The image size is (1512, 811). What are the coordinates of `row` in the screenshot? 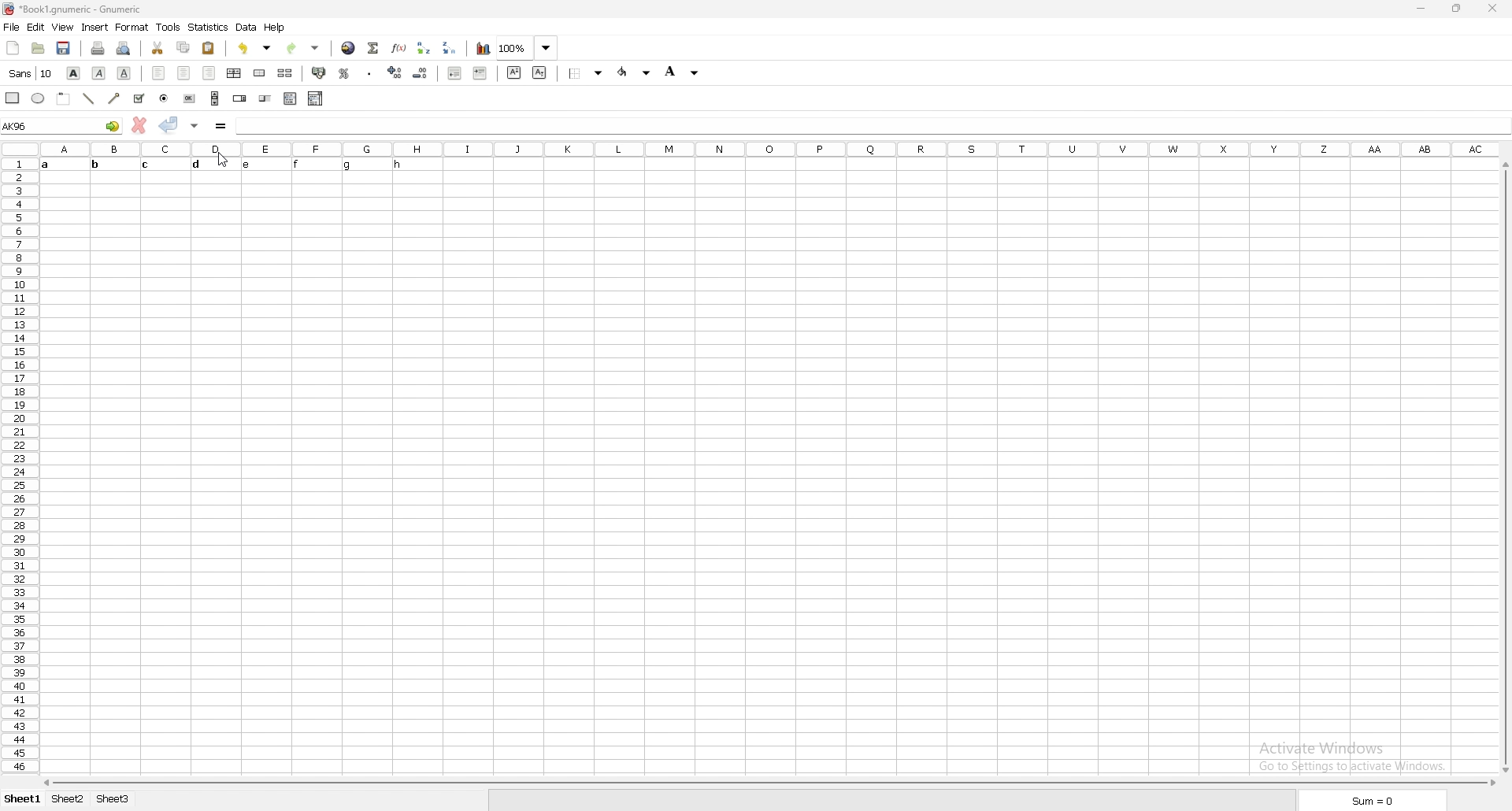 It's located at (20, 467).